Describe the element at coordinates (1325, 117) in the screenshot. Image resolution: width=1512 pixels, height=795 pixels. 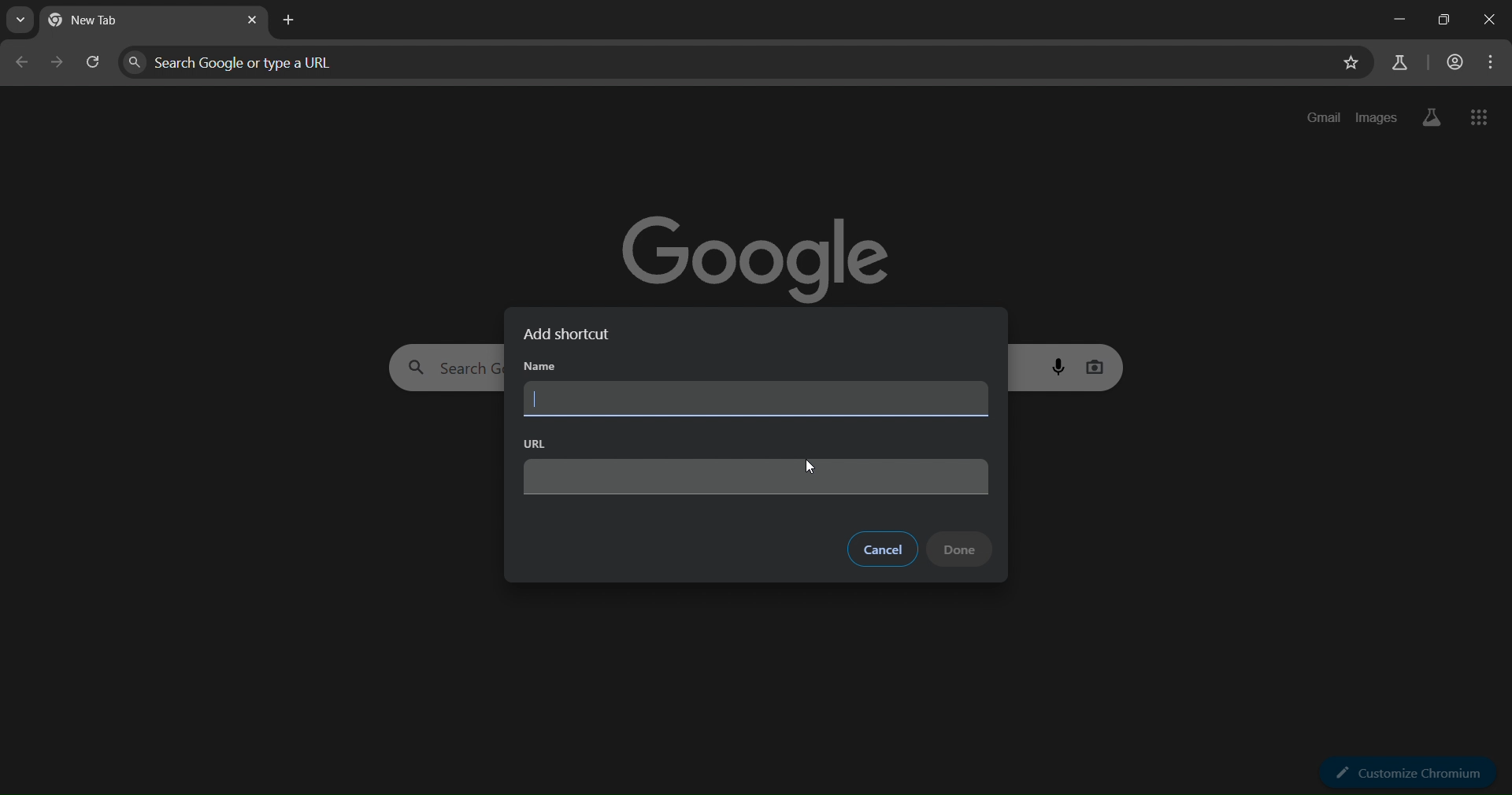
I see `gmail` at that location.